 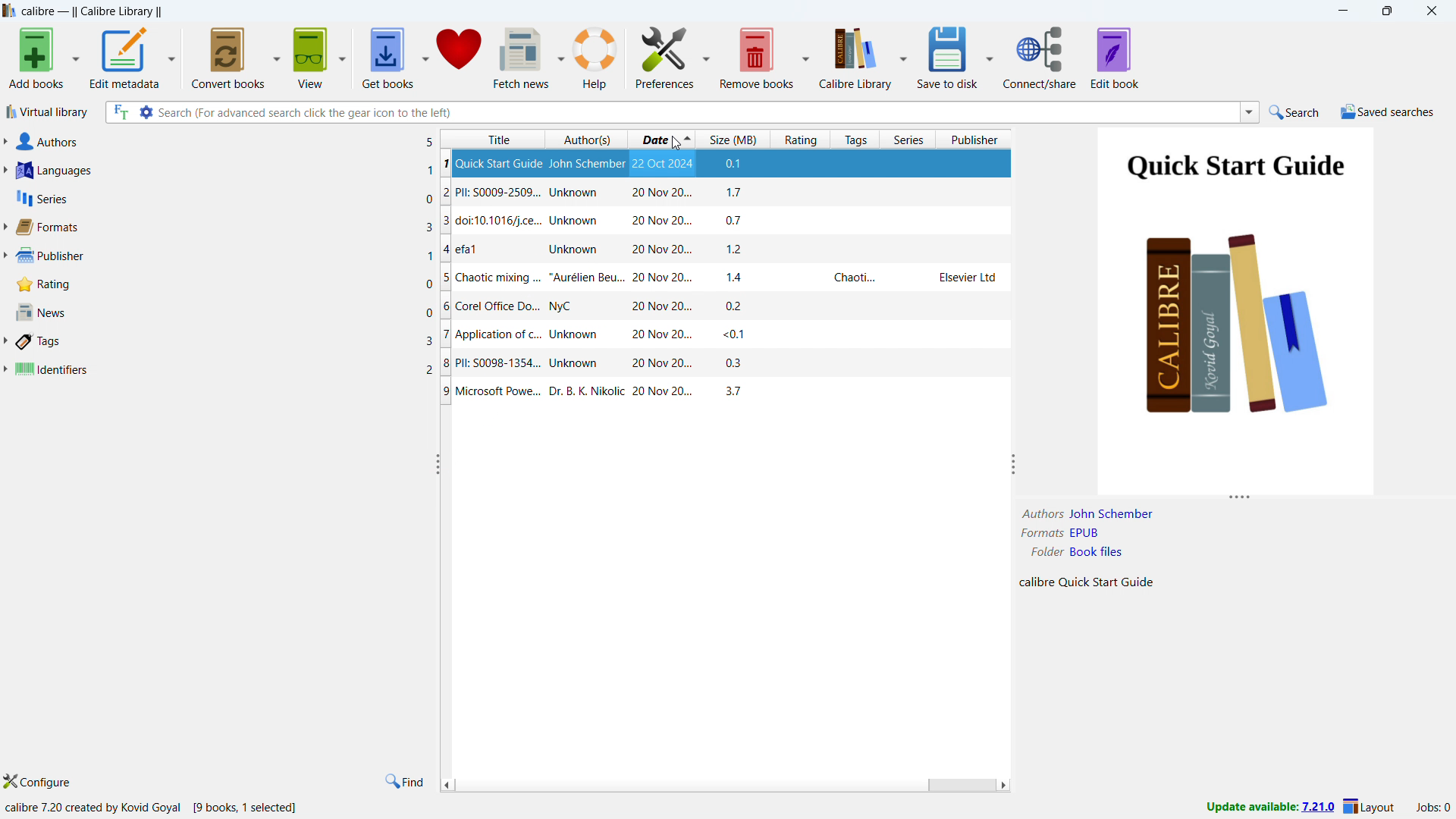 I want to click on find, so click(x=403, y=782).